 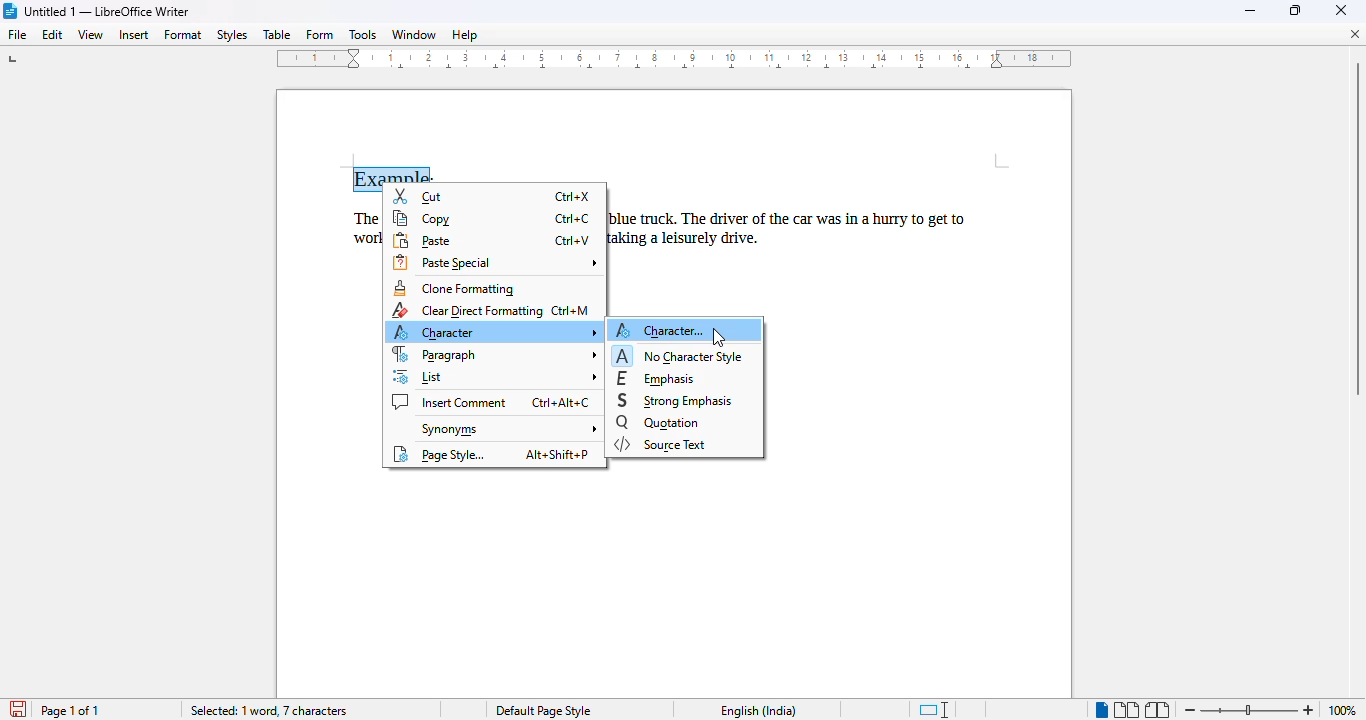 What do you see at coordinates (803, 229) in the screenshot?
I see `blue truck. The driver of the car was in a hurry to get taking a leisurely drive.` at bounding box center [803, 229].